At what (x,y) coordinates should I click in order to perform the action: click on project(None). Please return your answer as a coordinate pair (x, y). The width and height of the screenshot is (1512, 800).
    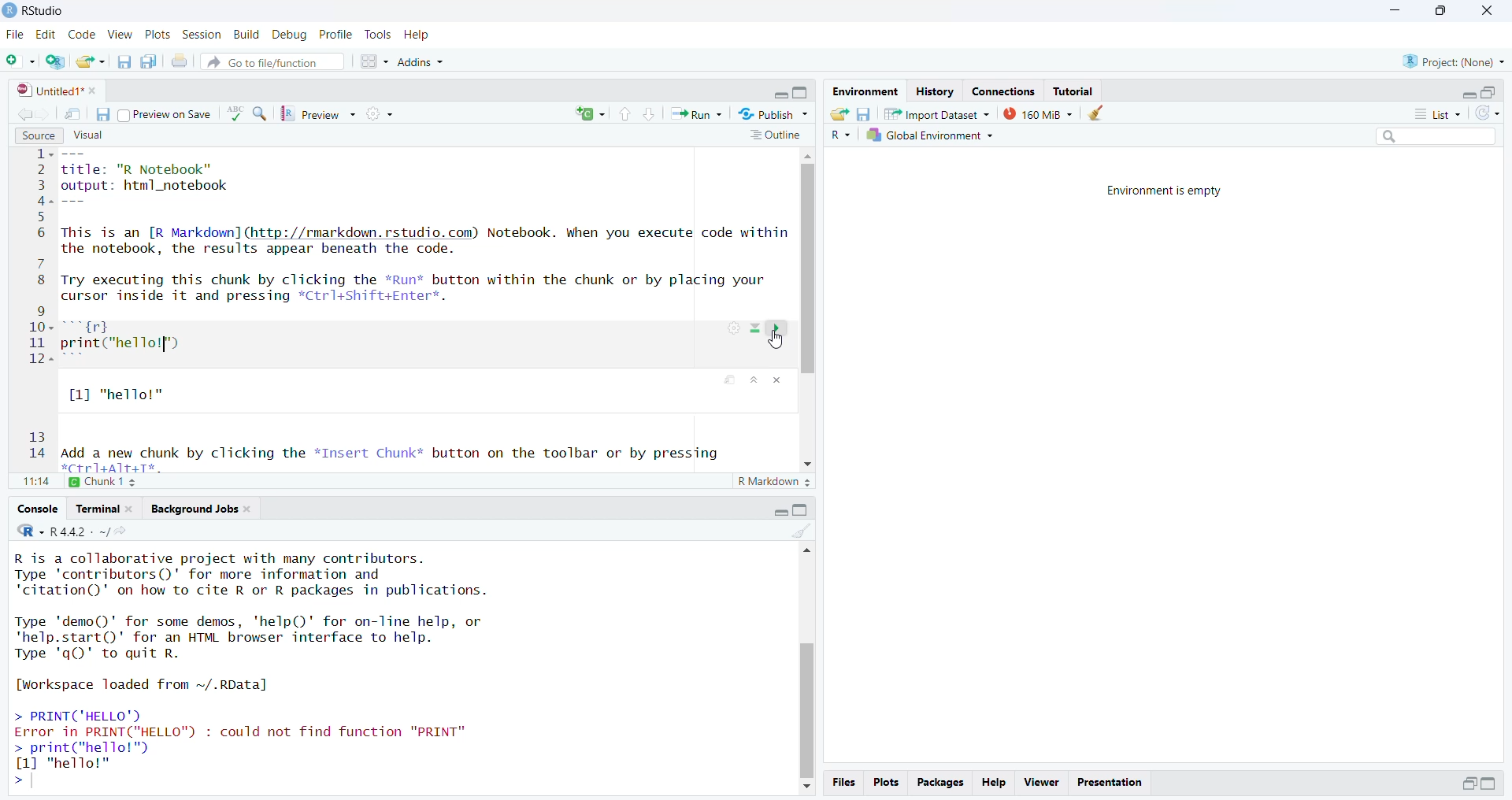
    Looking at the image, I should click on (1453, 62).